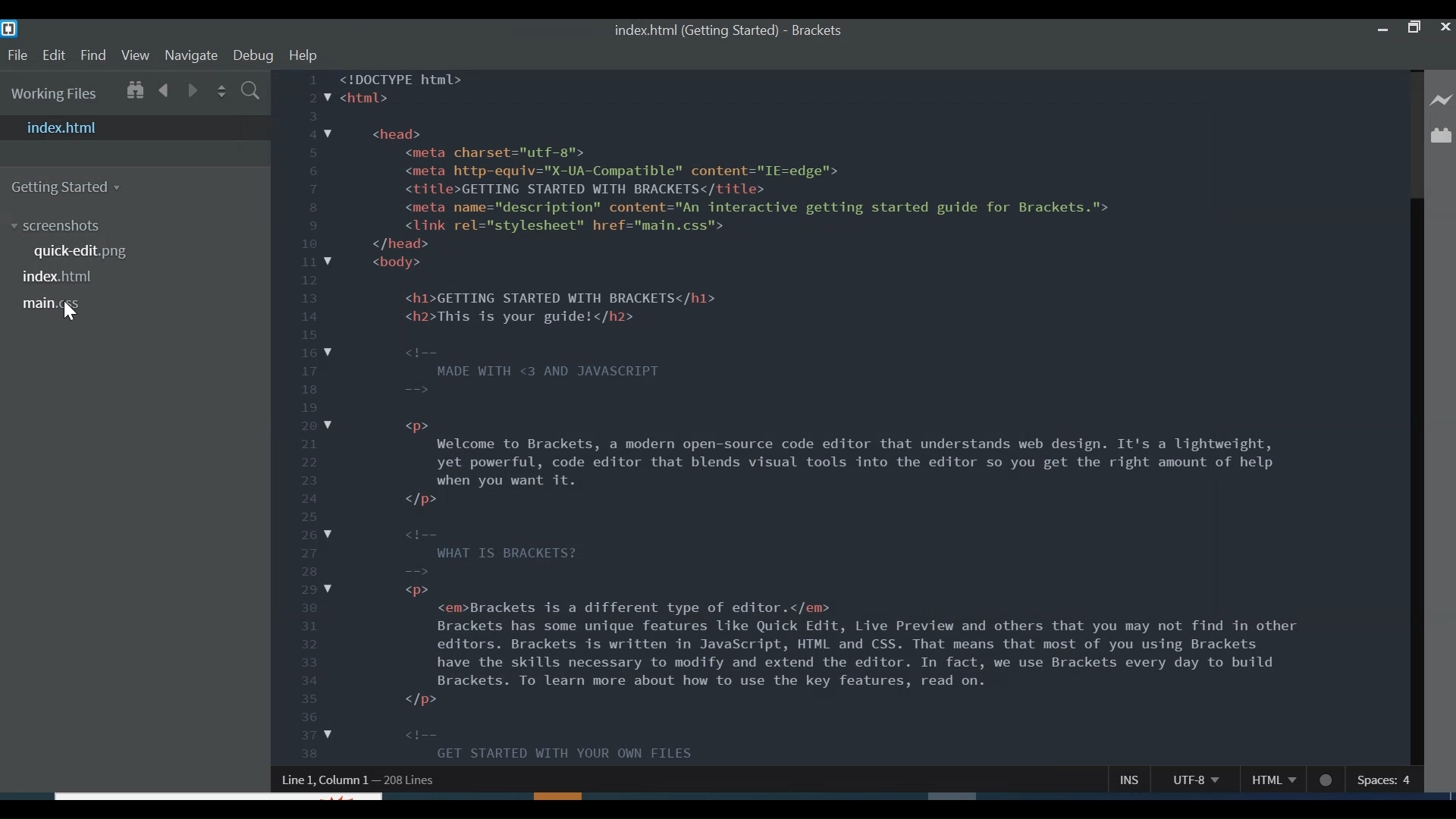  Describe the element at coordinates (1127, 782) in the screenshot. I see `Insert` at that location.